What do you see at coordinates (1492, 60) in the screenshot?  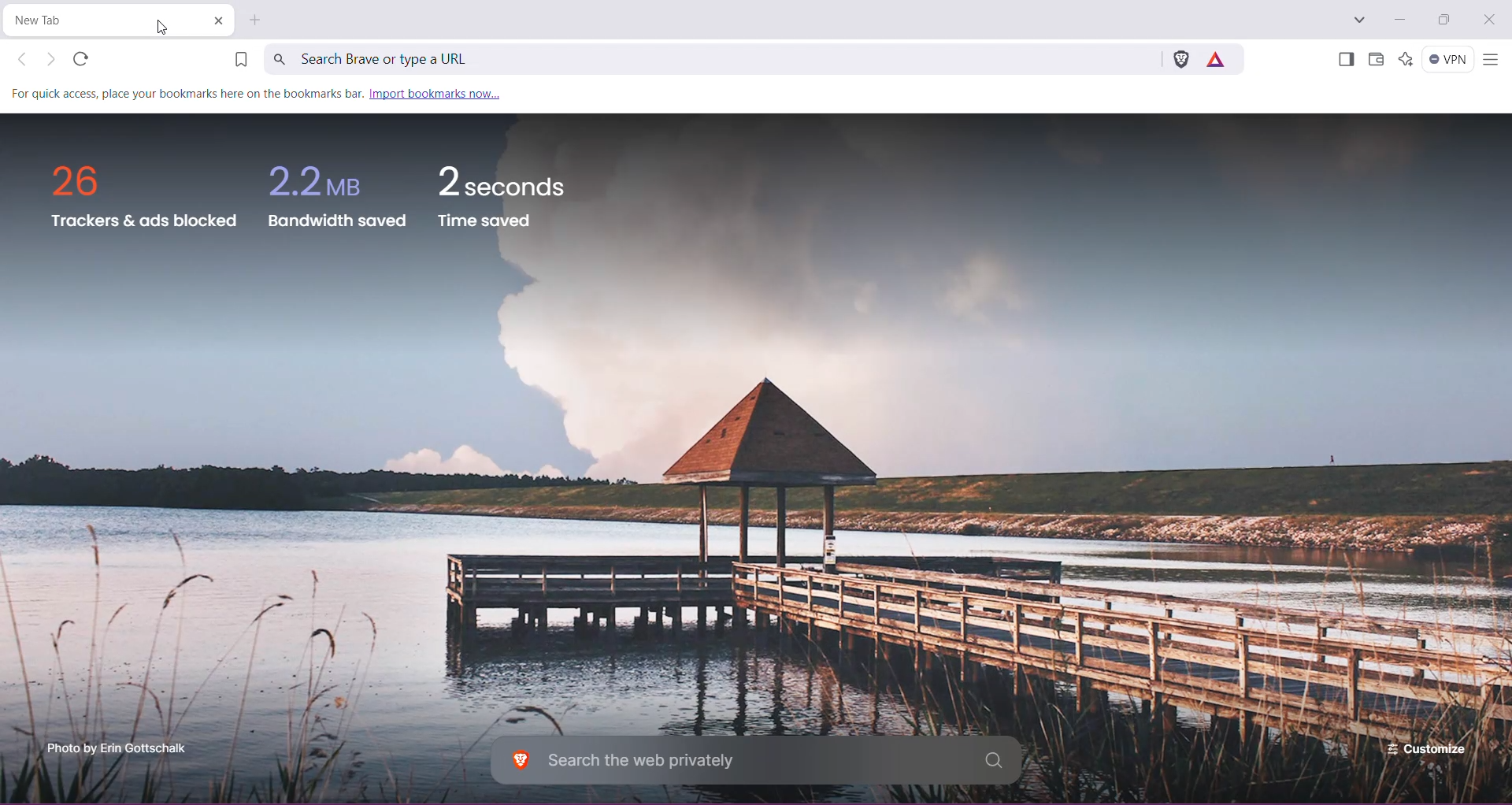 I see `Customize and control Brave` at bounding box center [1492, 60].